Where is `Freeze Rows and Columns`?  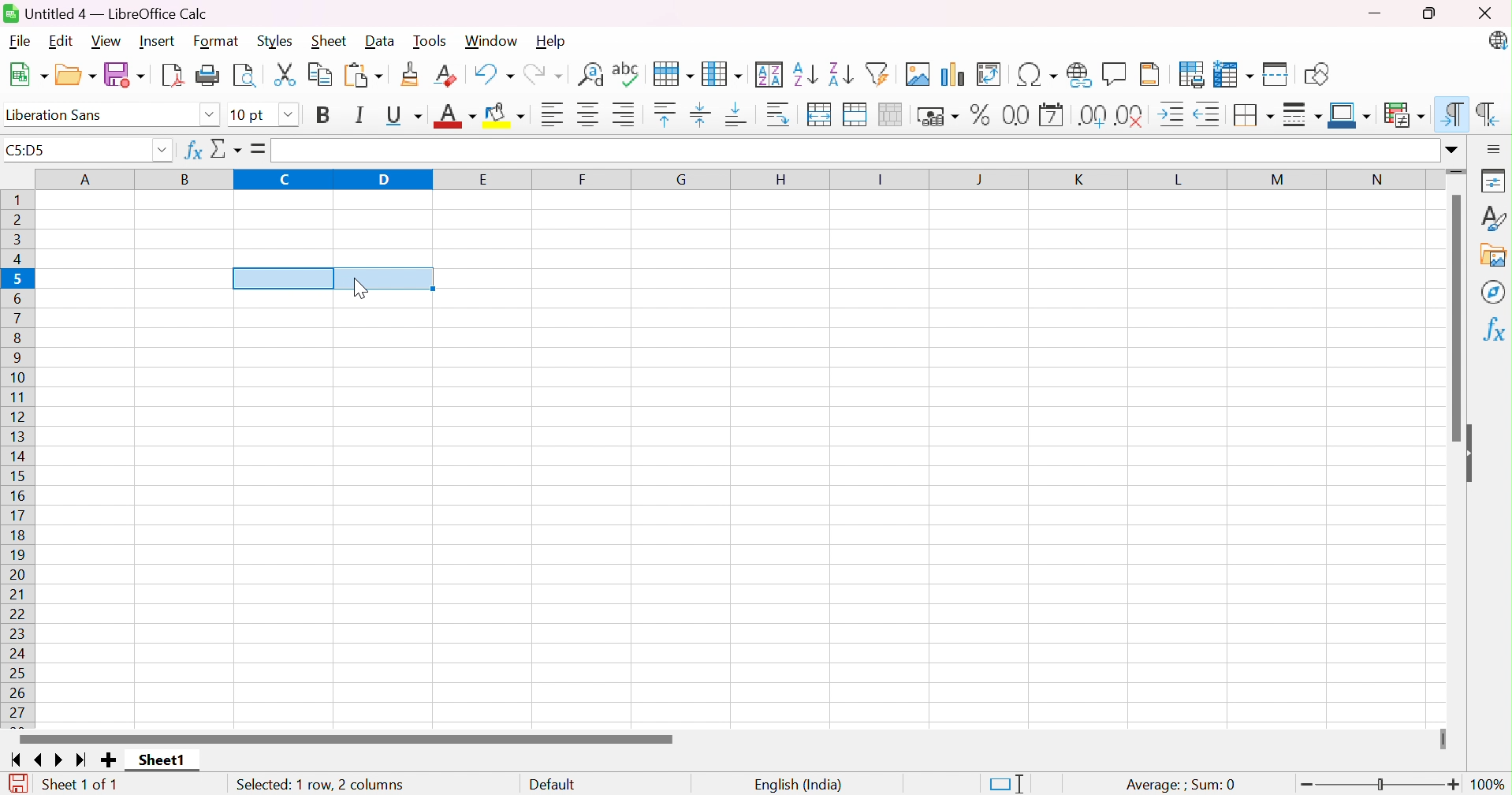
Freeze Rows and Columns is located at coordinates (1235, 74).